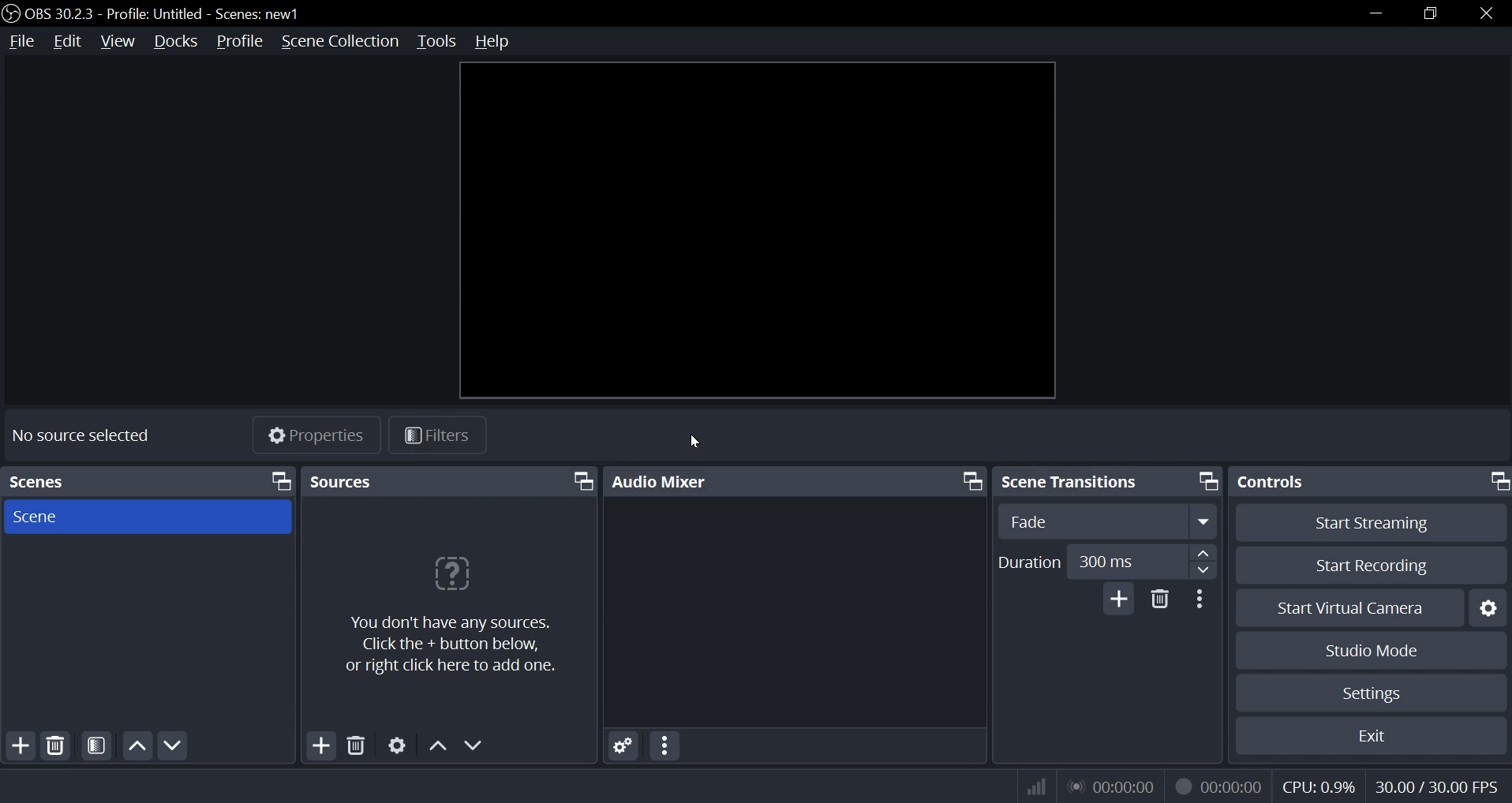 The image size is (1512, 803). I want to click on add, so click(320, 745).